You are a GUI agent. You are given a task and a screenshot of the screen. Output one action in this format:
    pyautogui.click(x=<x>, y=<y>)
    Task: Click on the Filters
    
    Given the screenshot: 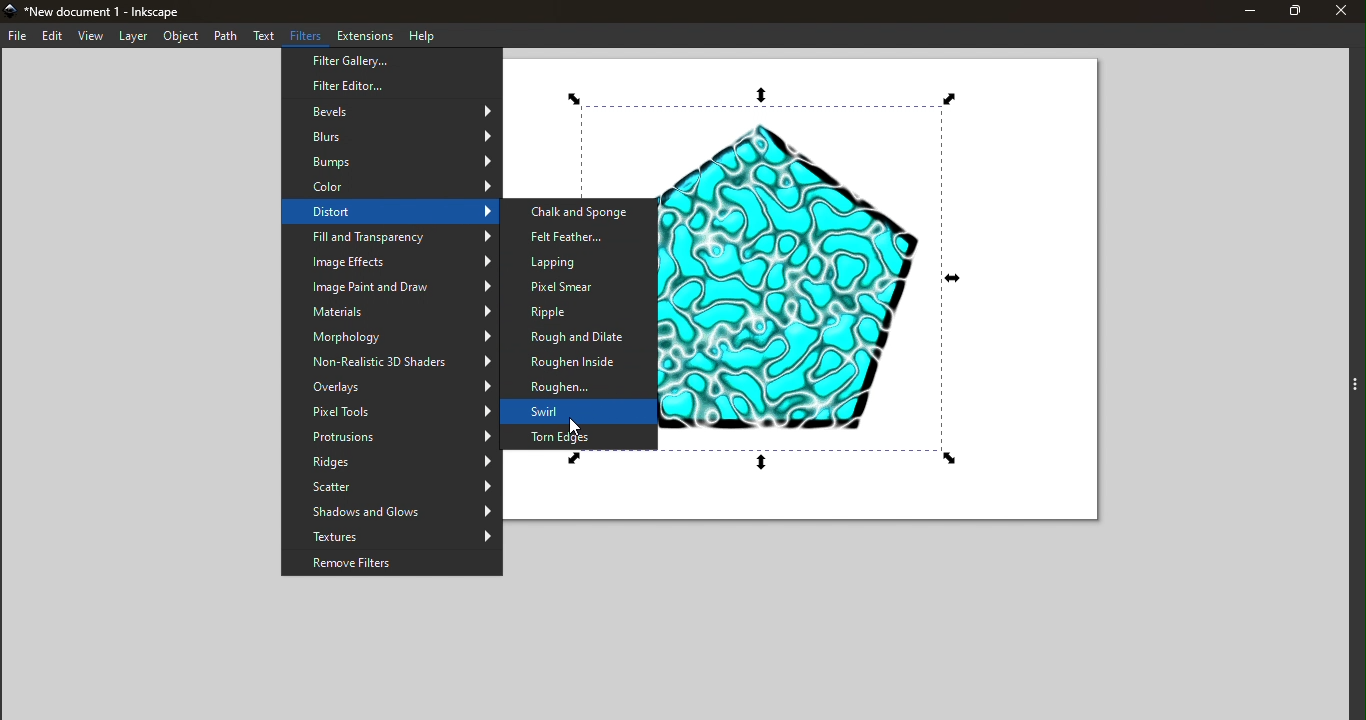 What is the action you would take?
    pyautogui.click(x=306, y=35)
    